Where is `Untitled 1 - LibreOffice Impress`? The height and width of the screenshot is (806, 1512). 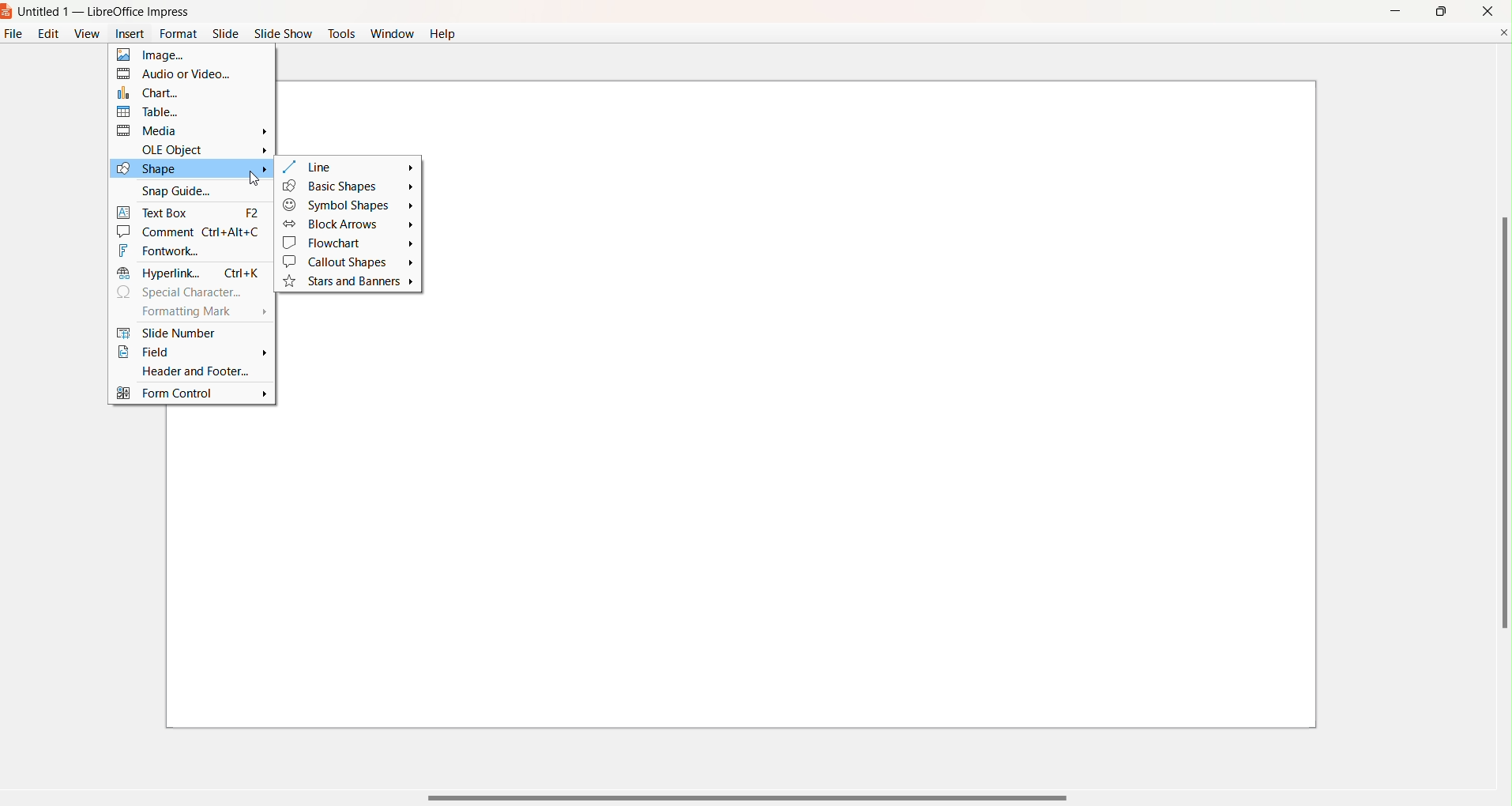 Untitled 1 - LibreOffice Impress is located at coordinates (106, 13).